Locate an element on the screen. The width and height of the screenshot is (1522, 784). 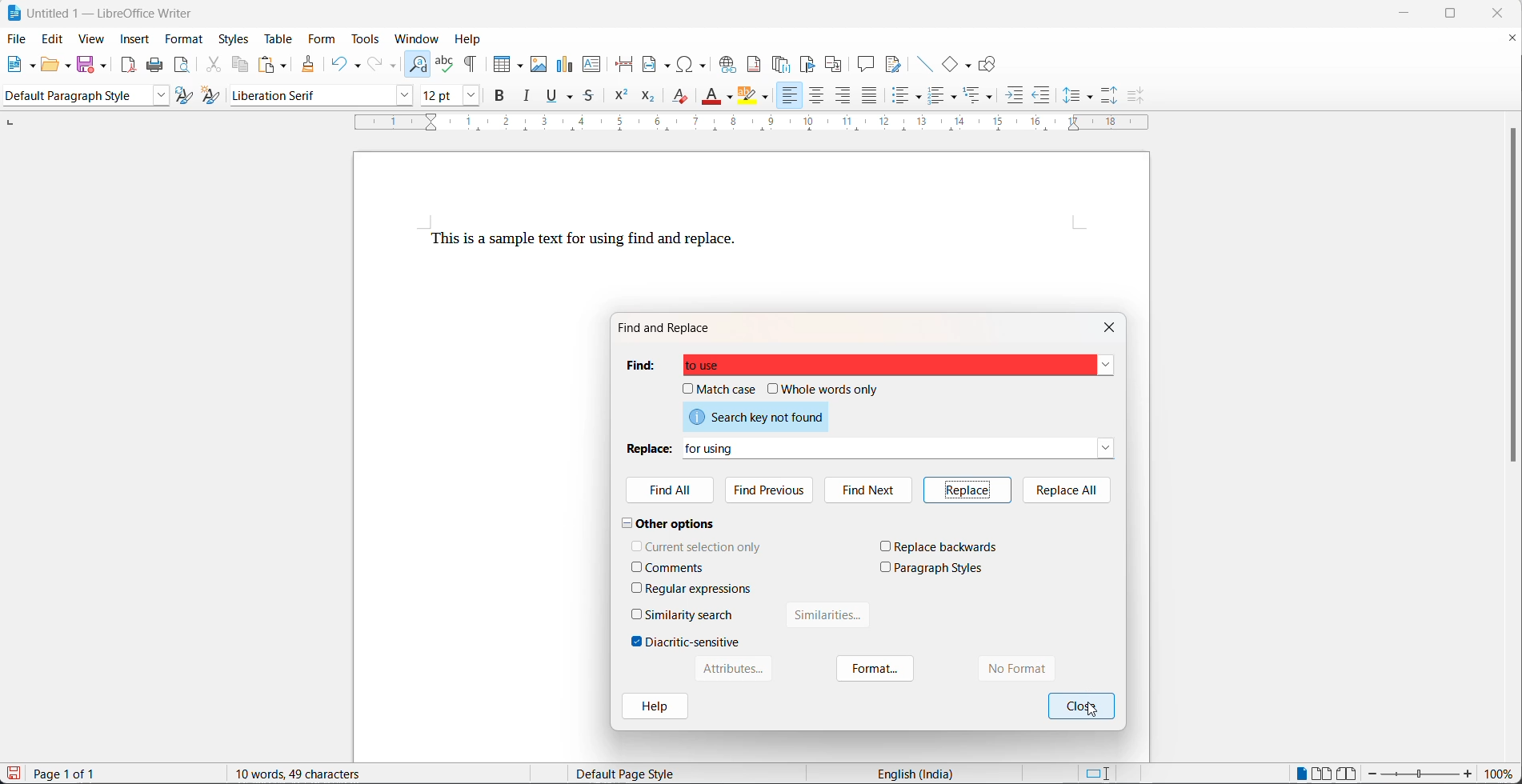
checkbox is located at coordinates (638, 614).